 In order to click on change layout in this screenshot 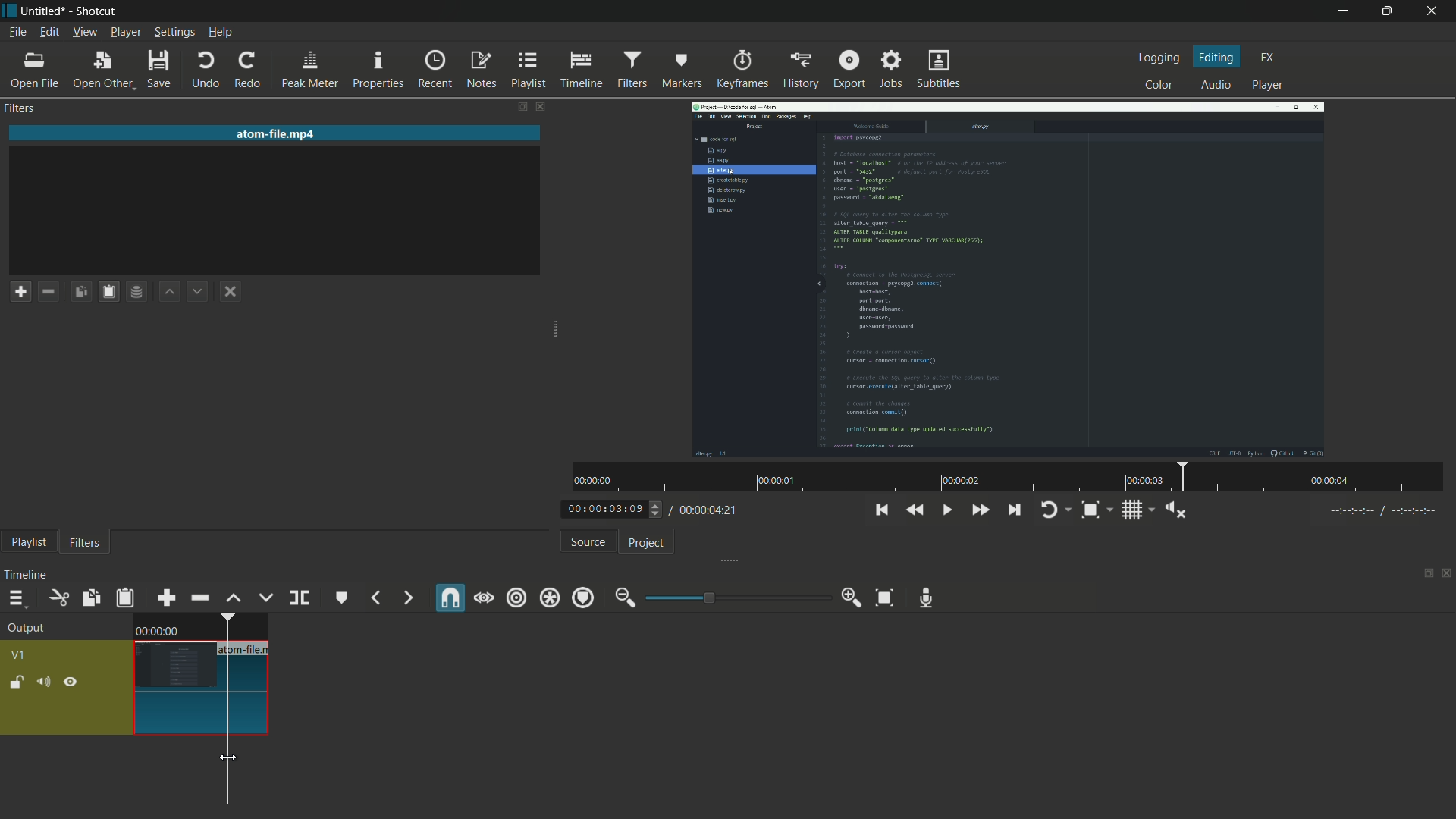, I will do `click(519, 107)`.